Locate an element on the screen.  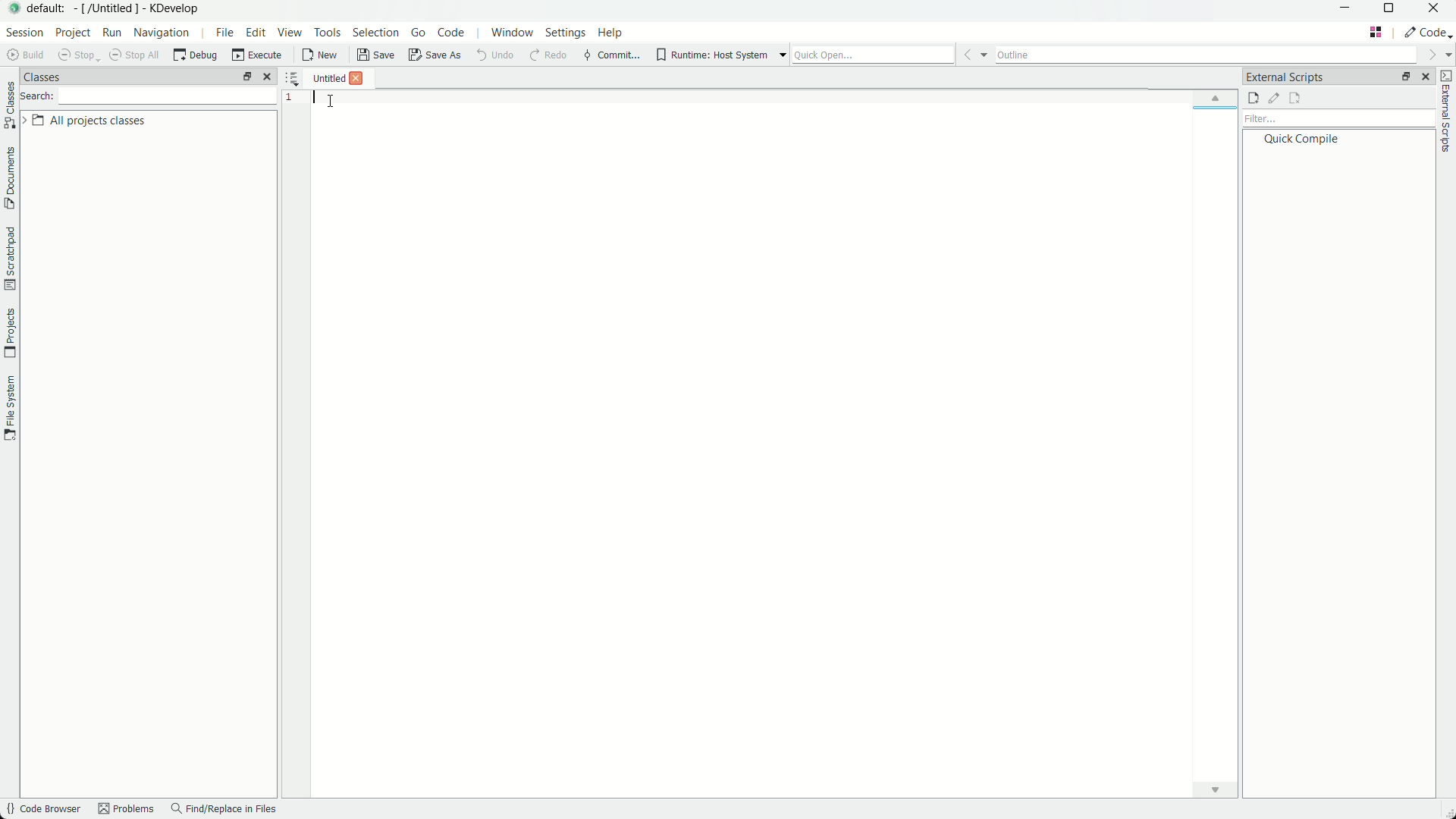
file system is located at coordinates (12, 408).